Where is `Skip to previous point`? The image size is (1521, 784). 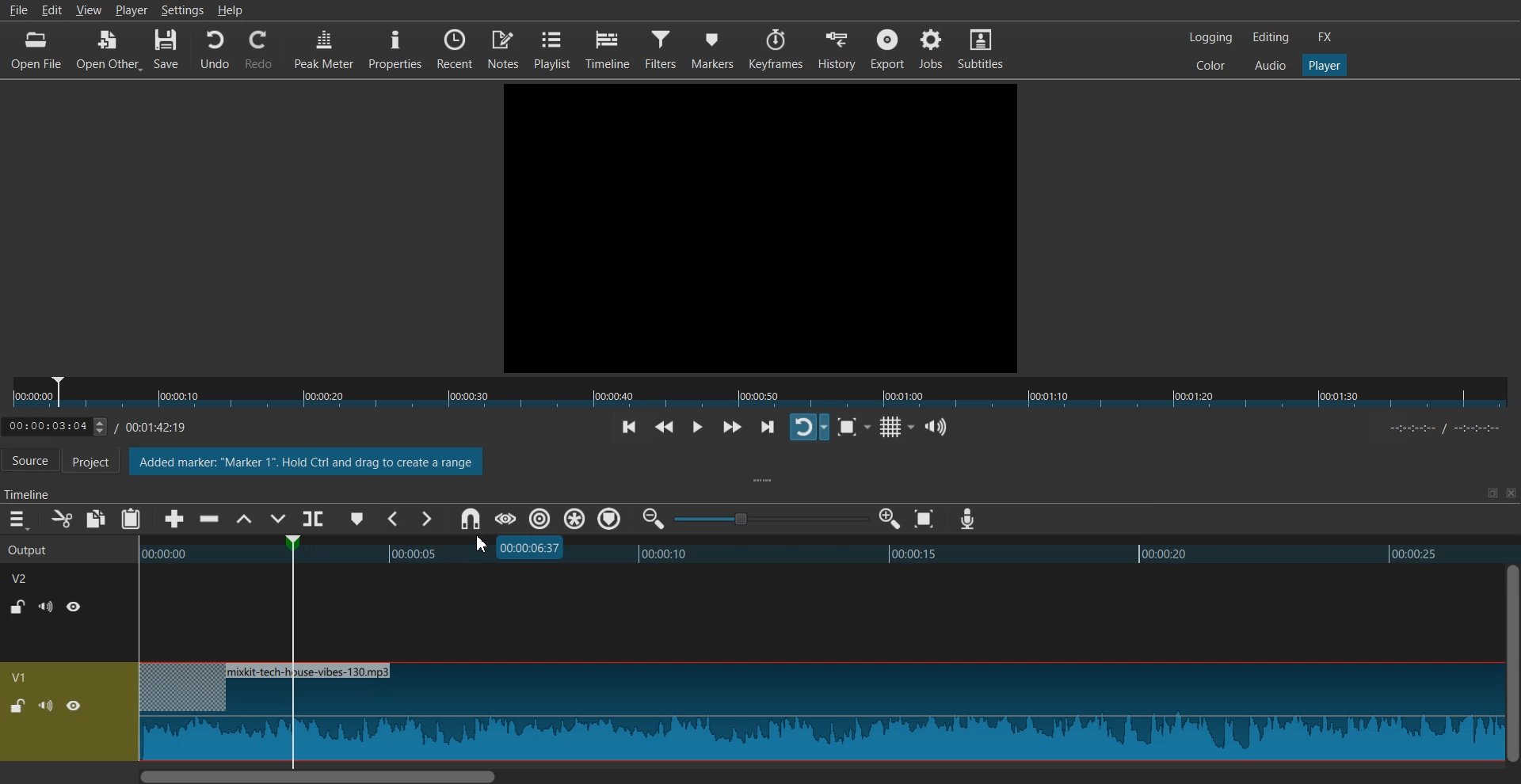
Skip to previous point is located at coordinates (629, 428).